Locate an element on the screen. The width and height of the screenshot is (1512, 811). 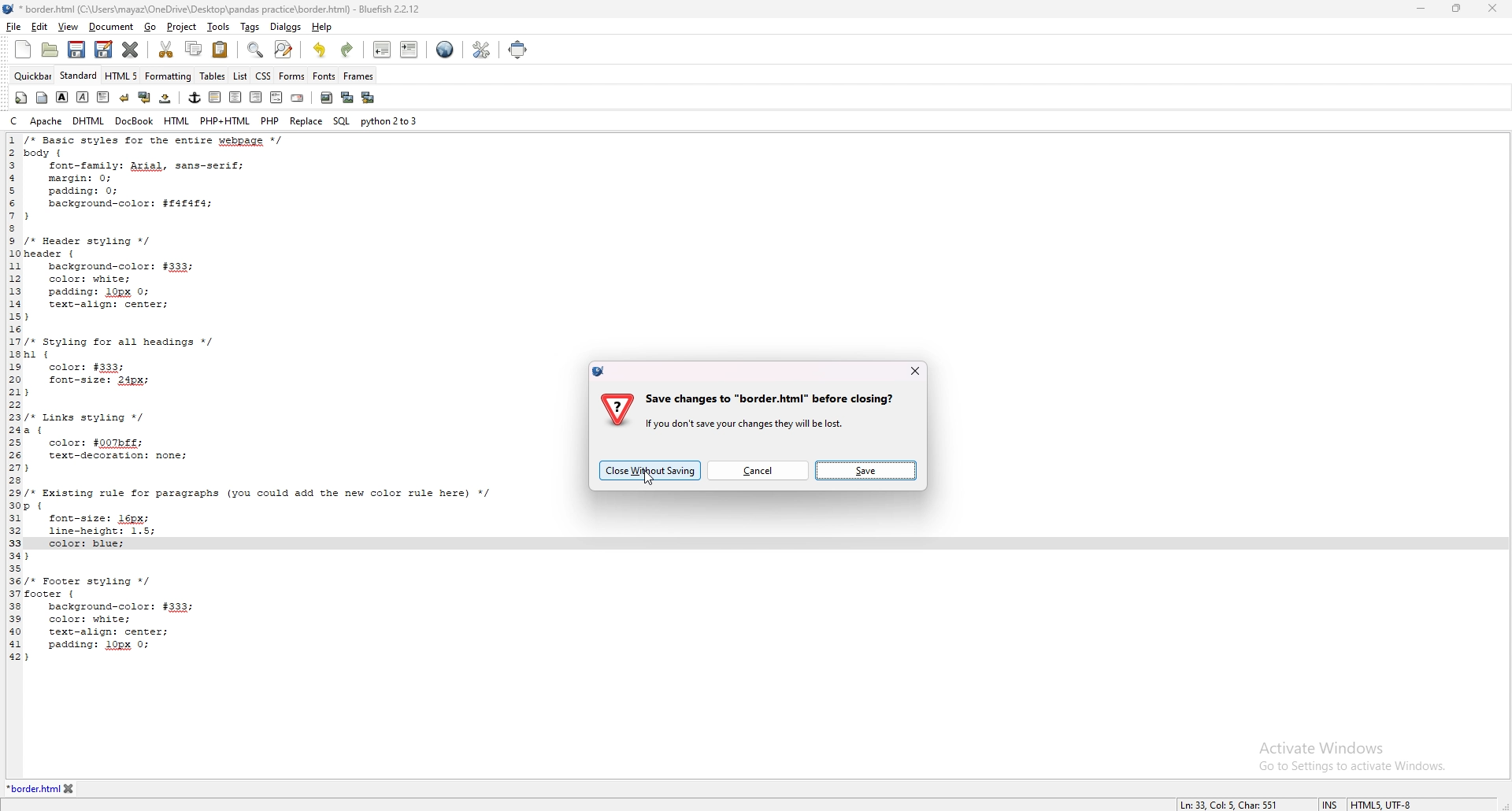
insert thumbnail is located at coordinates (347, 98).